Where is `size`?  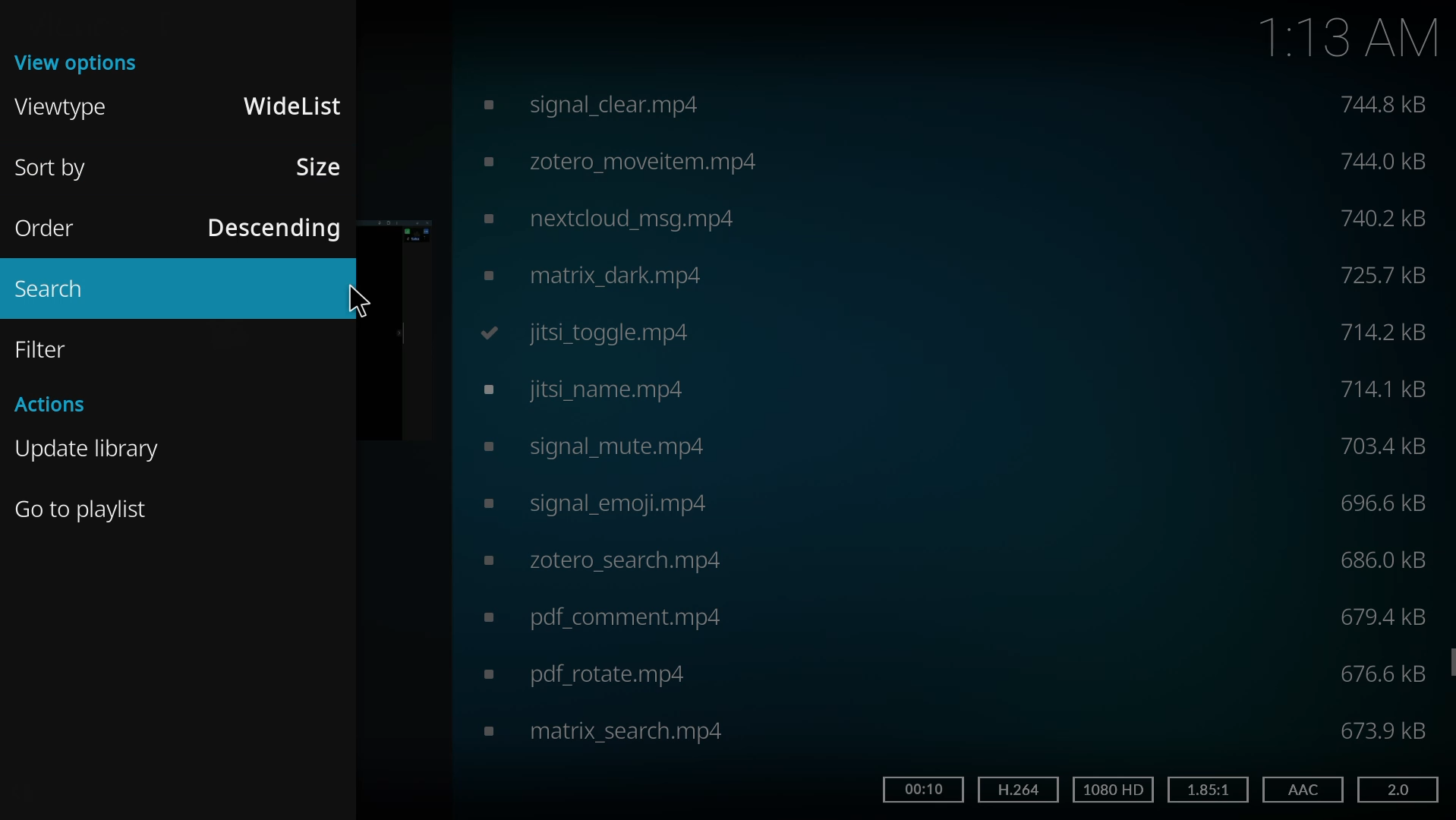
size is located at coordinates (1385, 106).